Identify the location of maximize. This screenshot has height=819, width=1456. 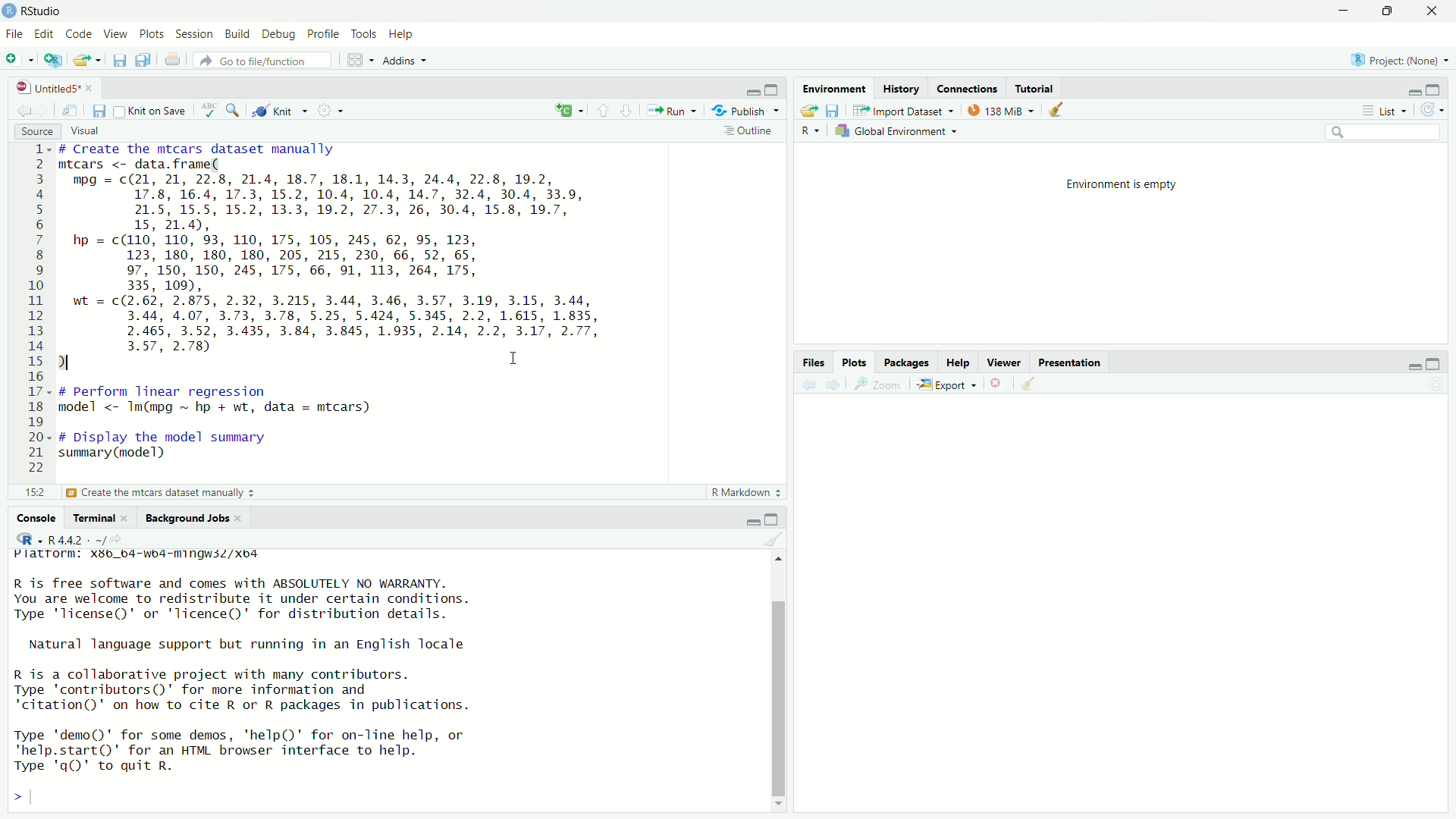
(1432, 90).